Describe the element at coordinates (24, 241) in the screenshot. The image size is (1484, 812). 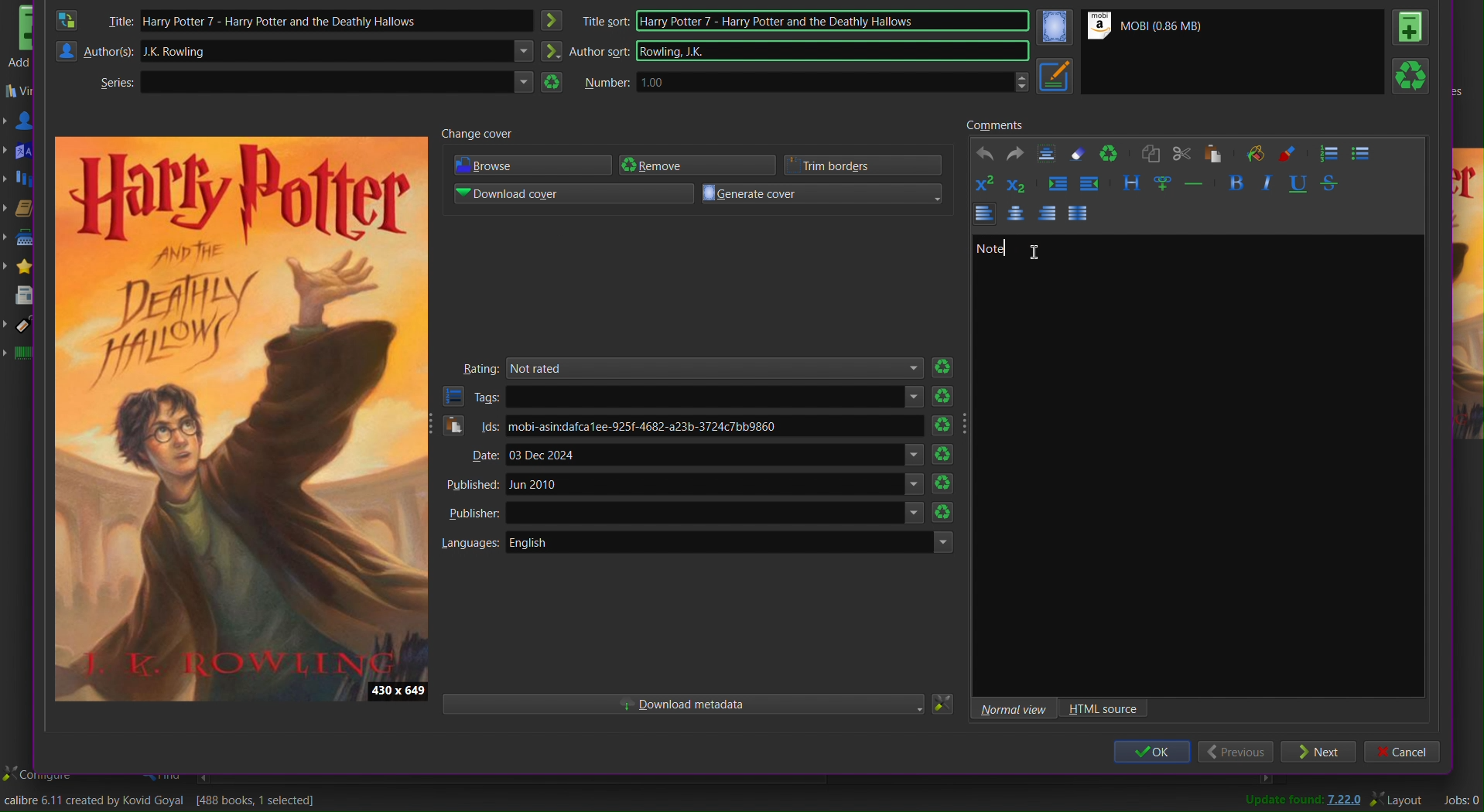
I see `Publisher` at that location.